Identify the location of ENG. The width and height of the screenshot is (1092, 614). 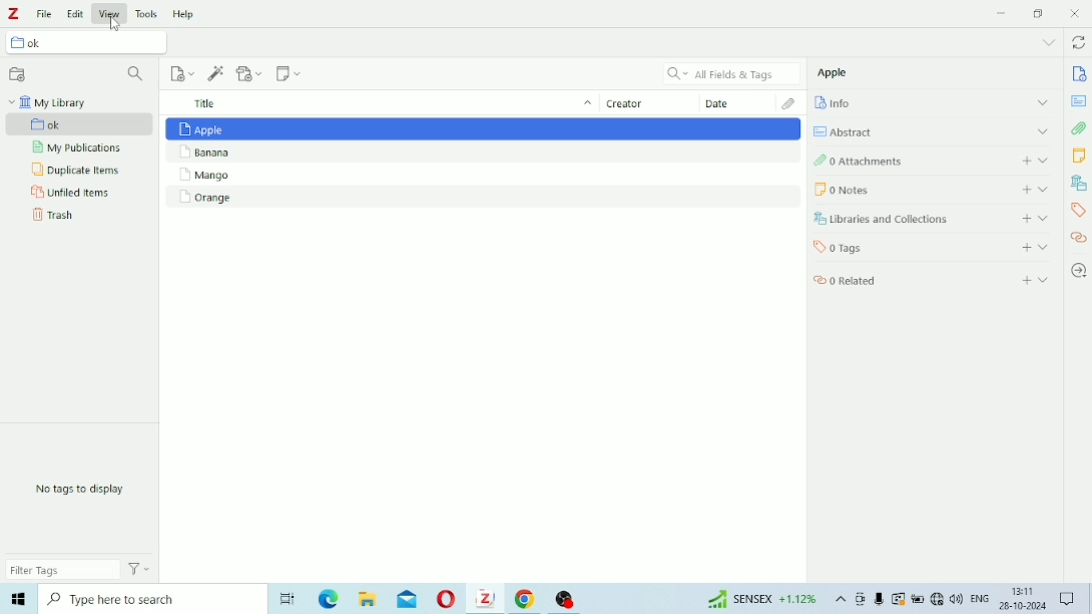
(979, 600).